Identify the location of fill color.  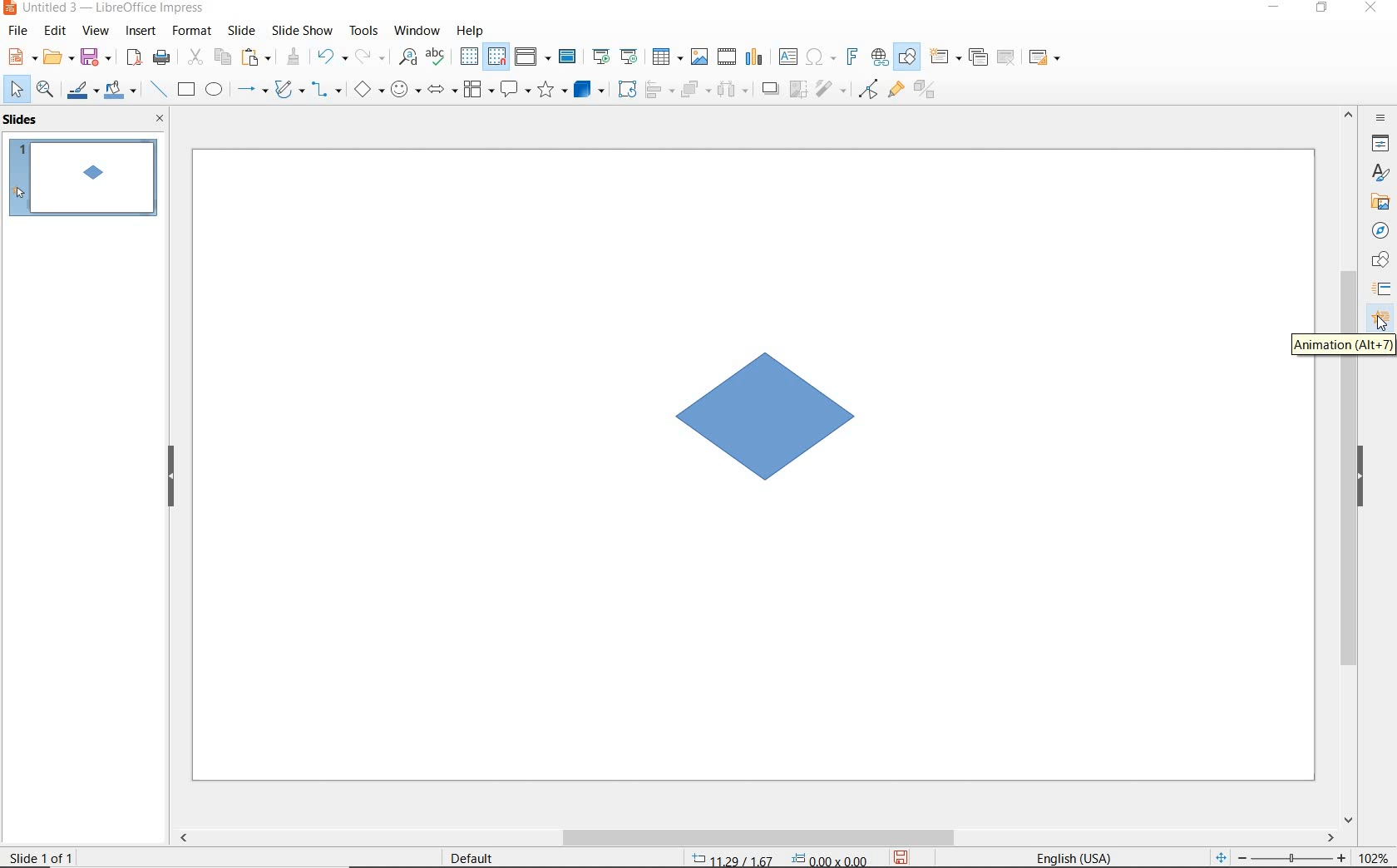
(121, 91).